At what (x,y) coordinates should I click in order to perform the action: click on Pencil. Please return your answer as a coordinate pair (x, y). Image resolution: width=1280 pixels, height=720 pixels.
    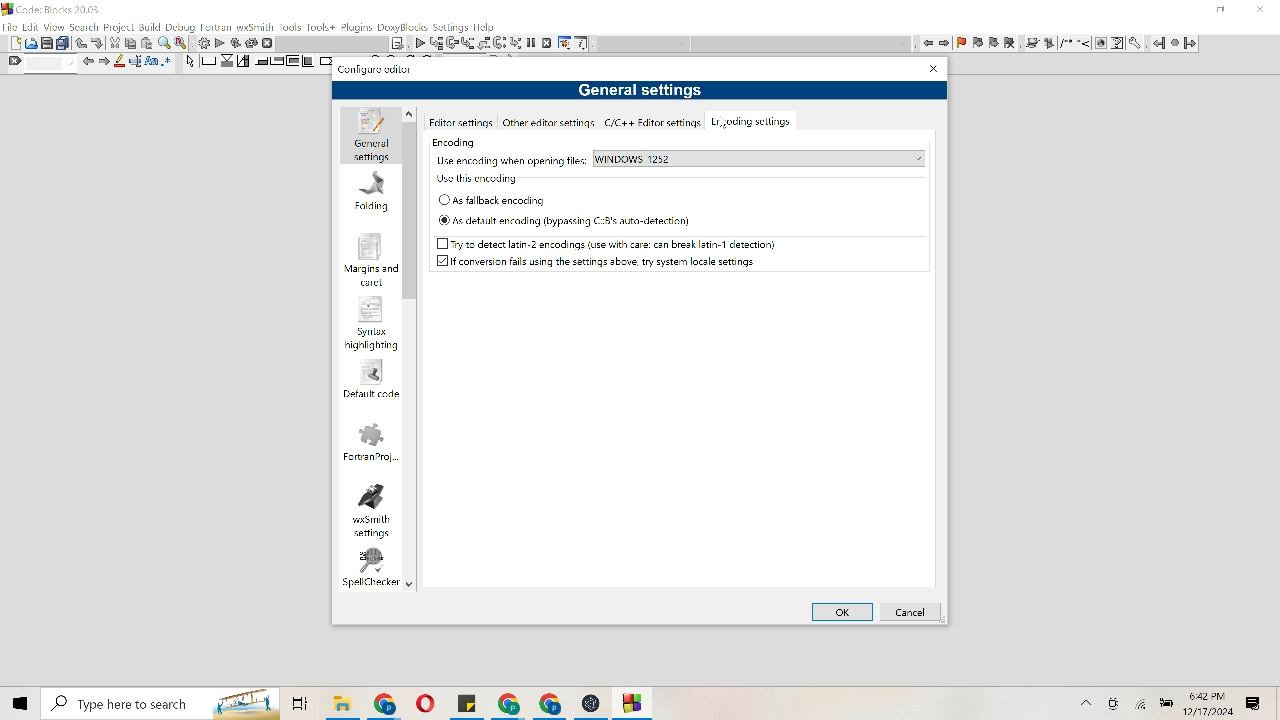
    Looking at the image, I should click on (121, 61).